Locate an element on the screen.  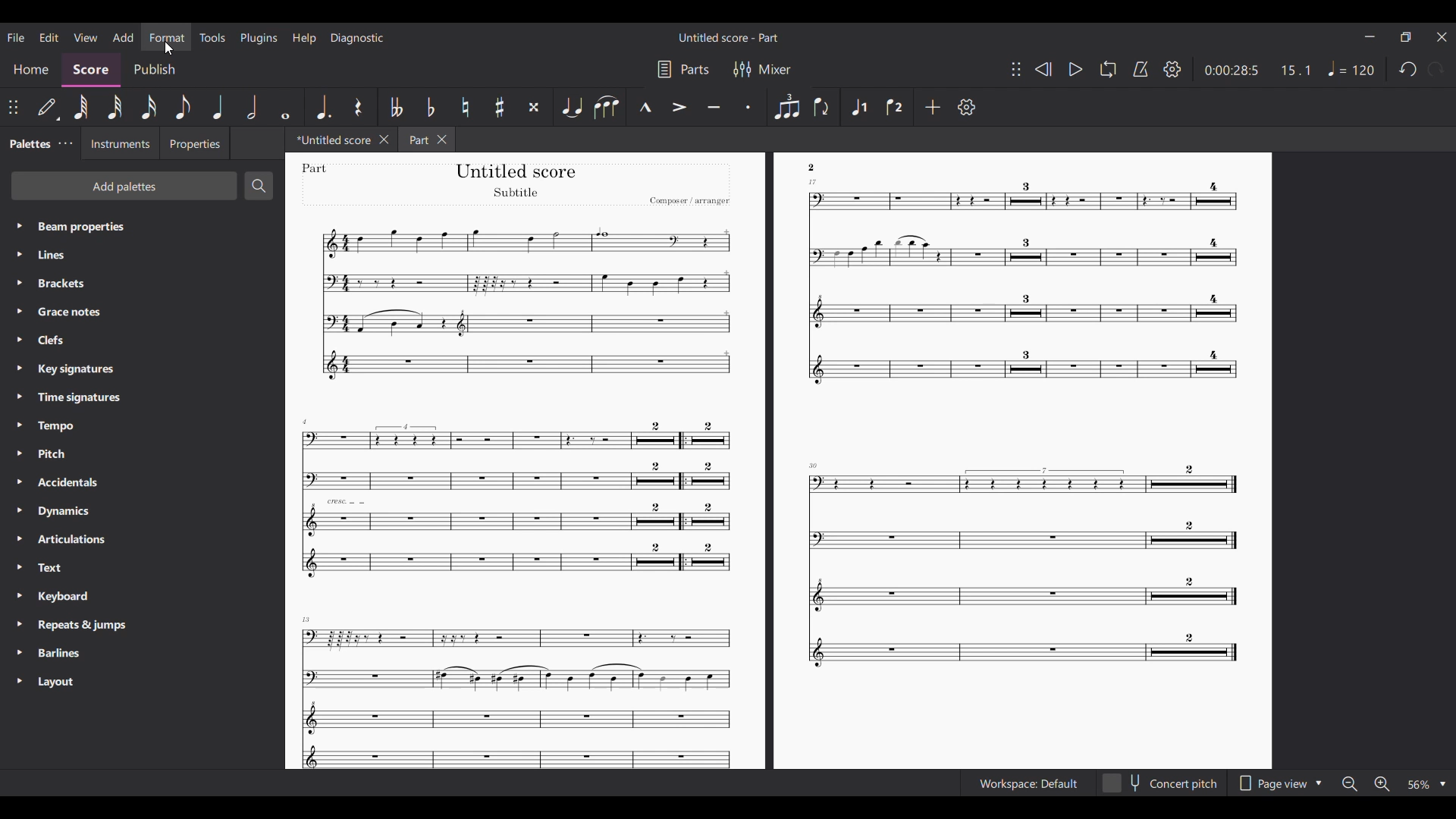
Accent is located at coordinates (678, 107).